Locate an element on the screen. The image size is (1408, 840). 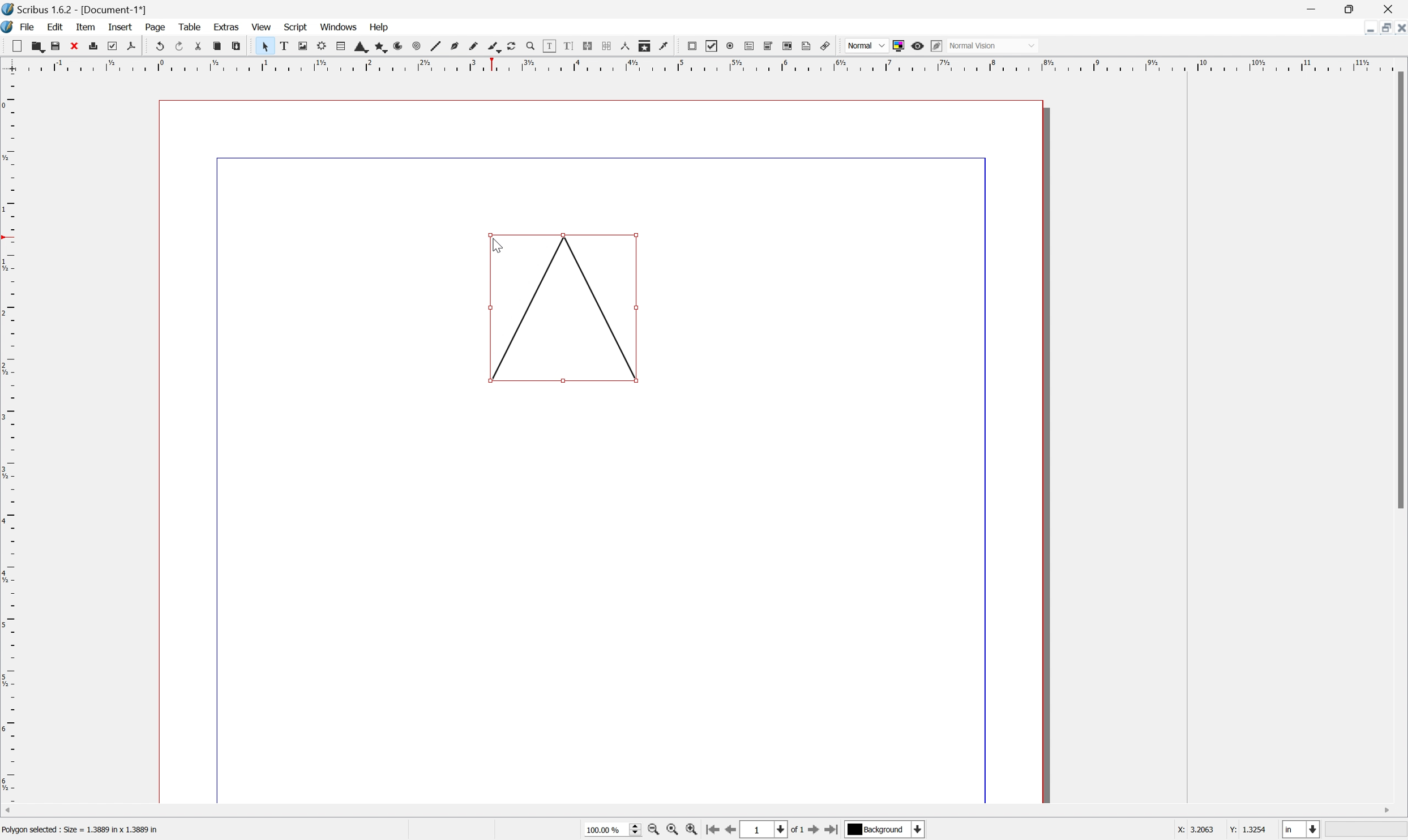
Calligraphic lines is located at coordinates (495, 48).